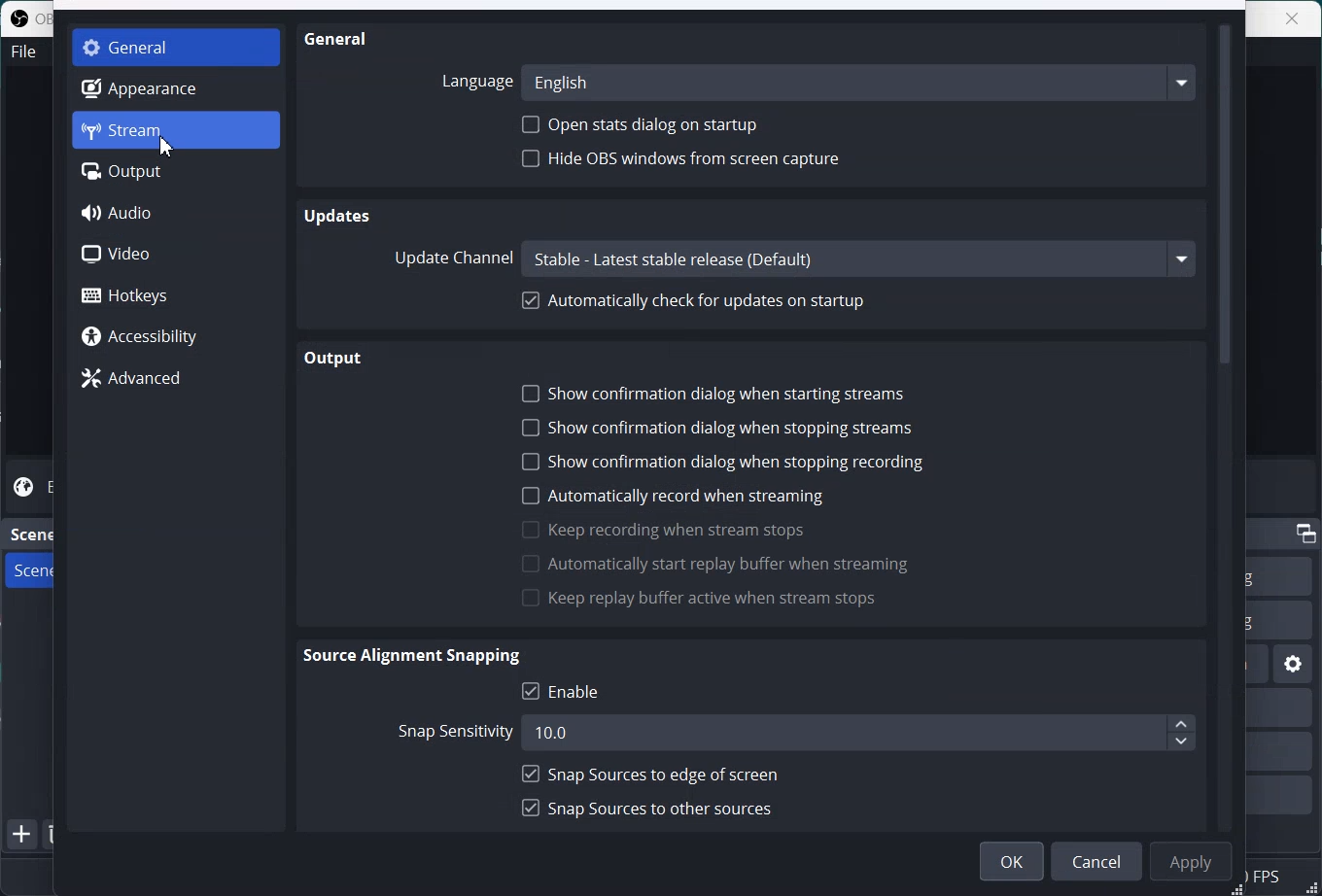 The height and width of the screenshot is (896, 1322). What do you see at coordinates (716, 428) in the screenshot?
I see `Show confirmation dialog when stopping streams` at bounding box center [716, 428].